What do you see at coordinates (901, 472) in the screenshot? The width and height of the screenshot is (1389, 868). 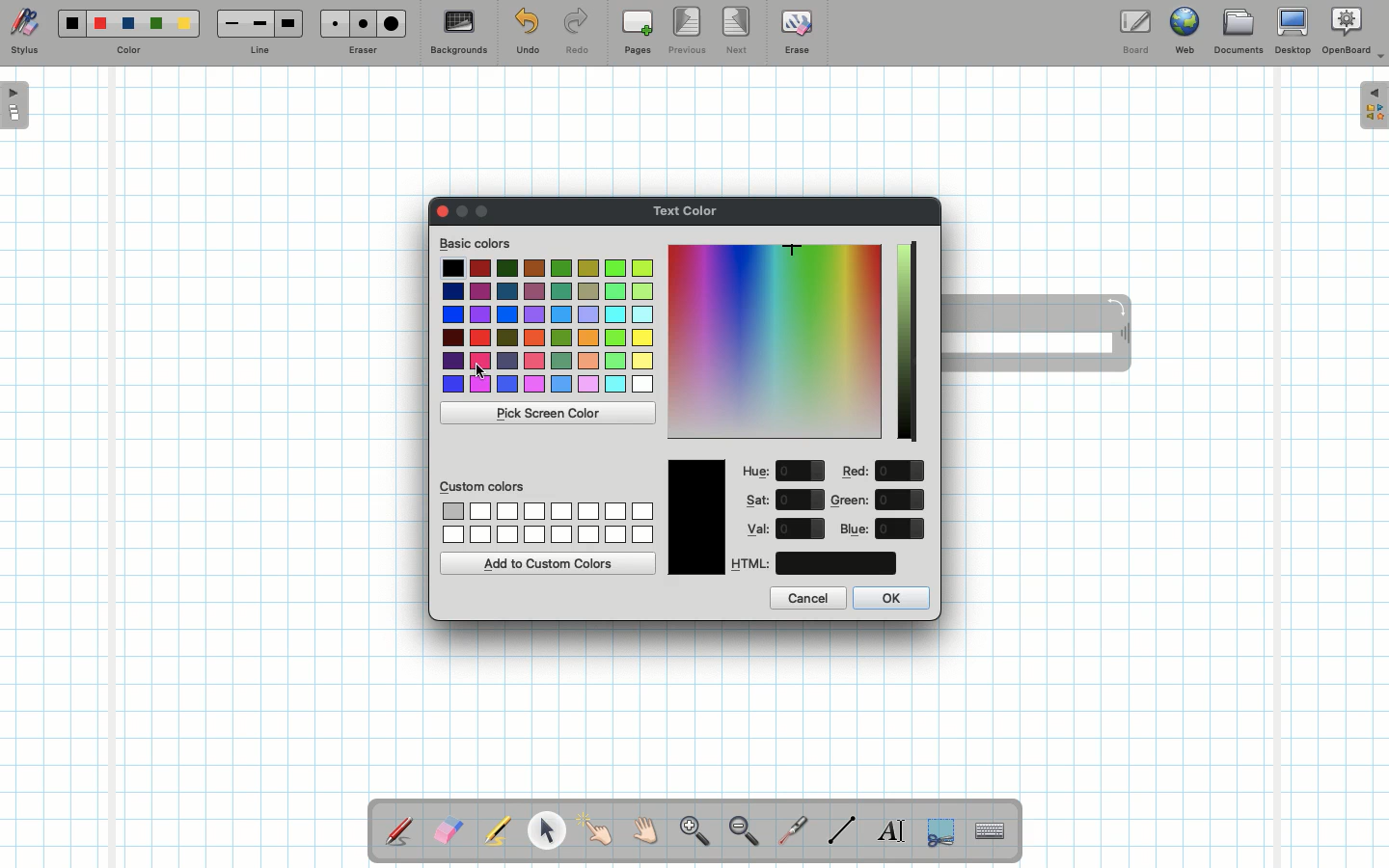 I see `value` at bounding box center [901, 472].